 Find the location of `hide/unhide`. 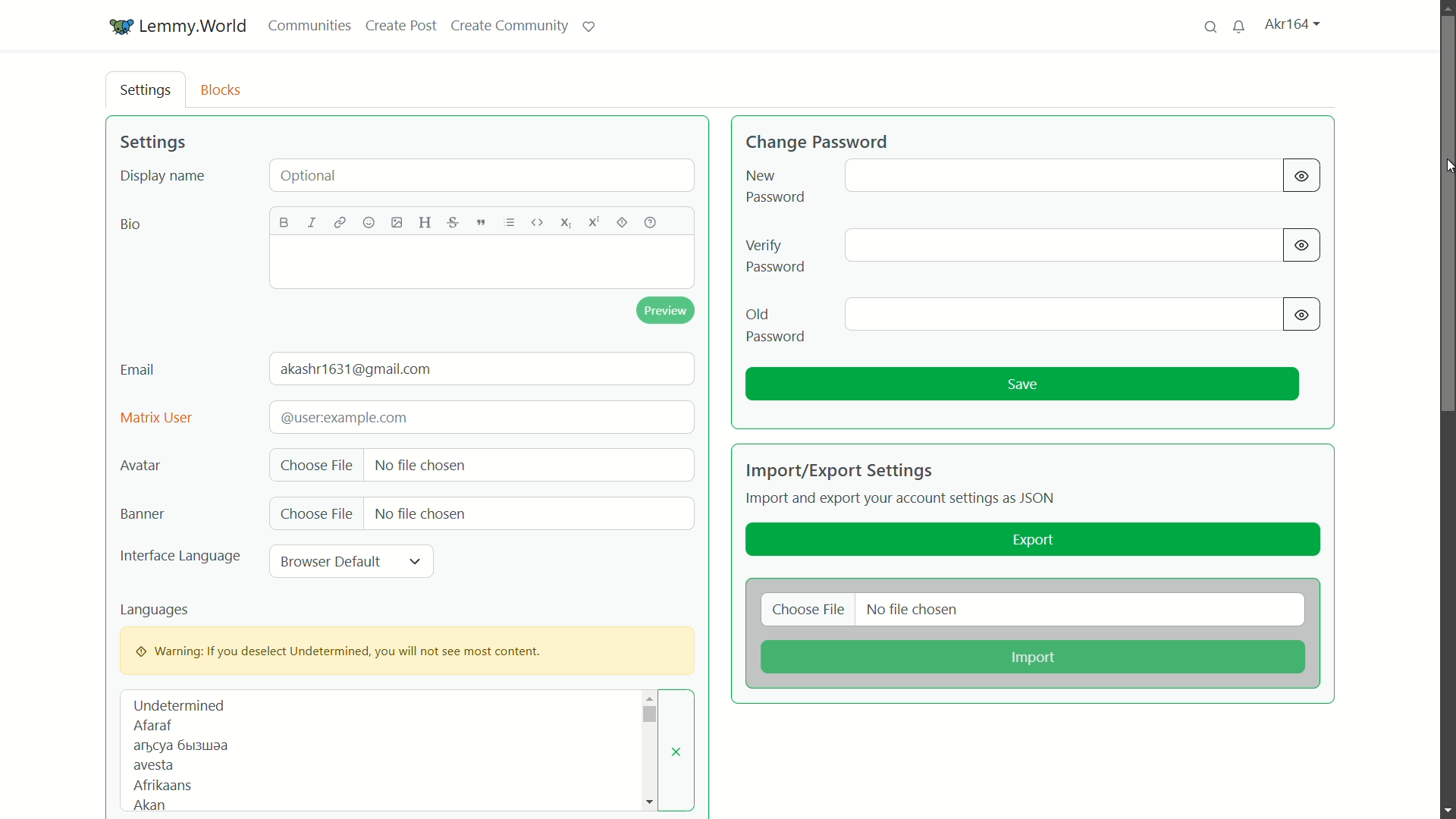

hide/unhide is located at coordinates (1302, 176).